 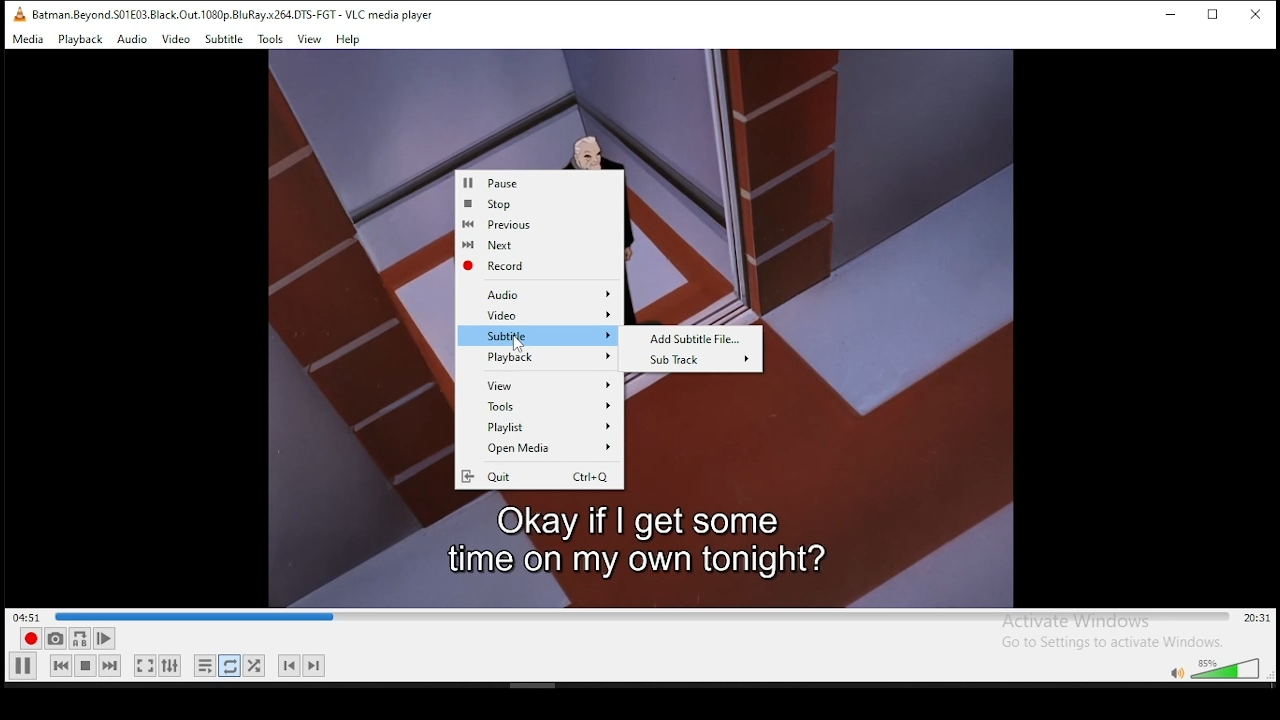 I want to click on 04:51, so click(x=24, y=616).